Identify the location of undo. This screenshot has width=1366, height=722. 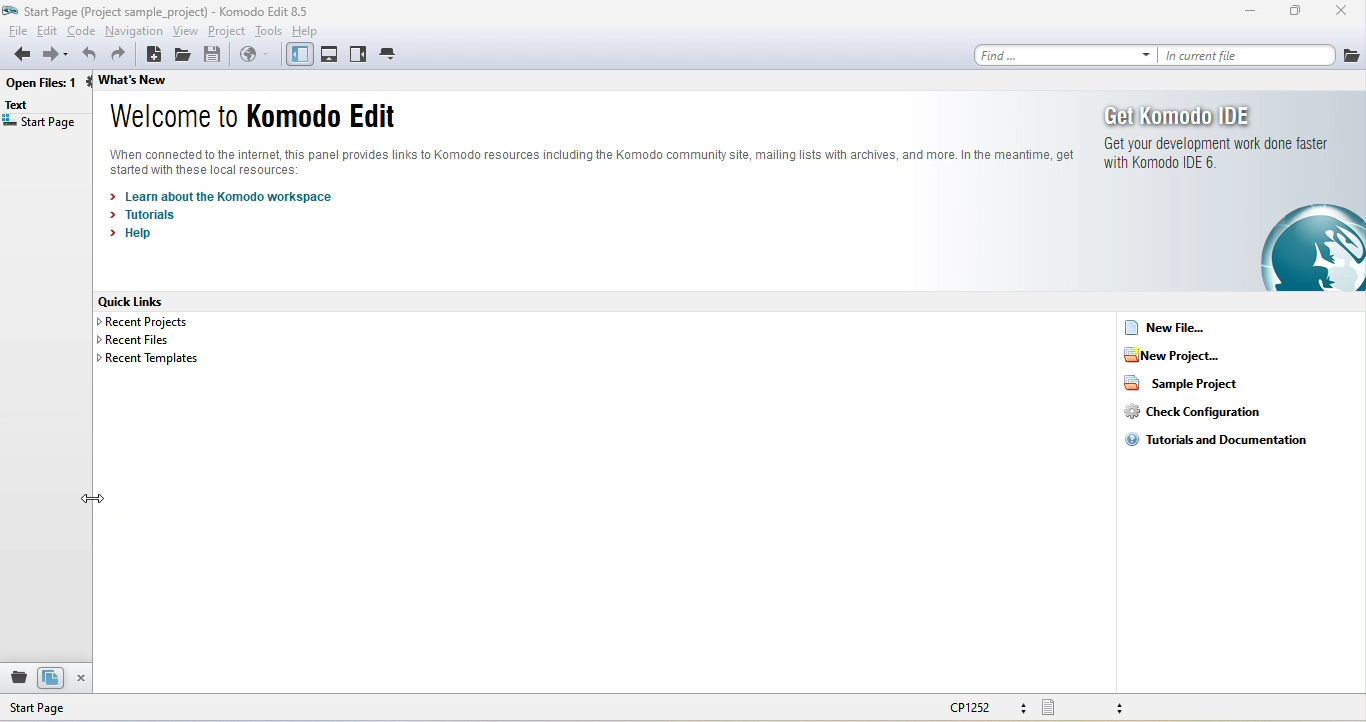
(87, 55).